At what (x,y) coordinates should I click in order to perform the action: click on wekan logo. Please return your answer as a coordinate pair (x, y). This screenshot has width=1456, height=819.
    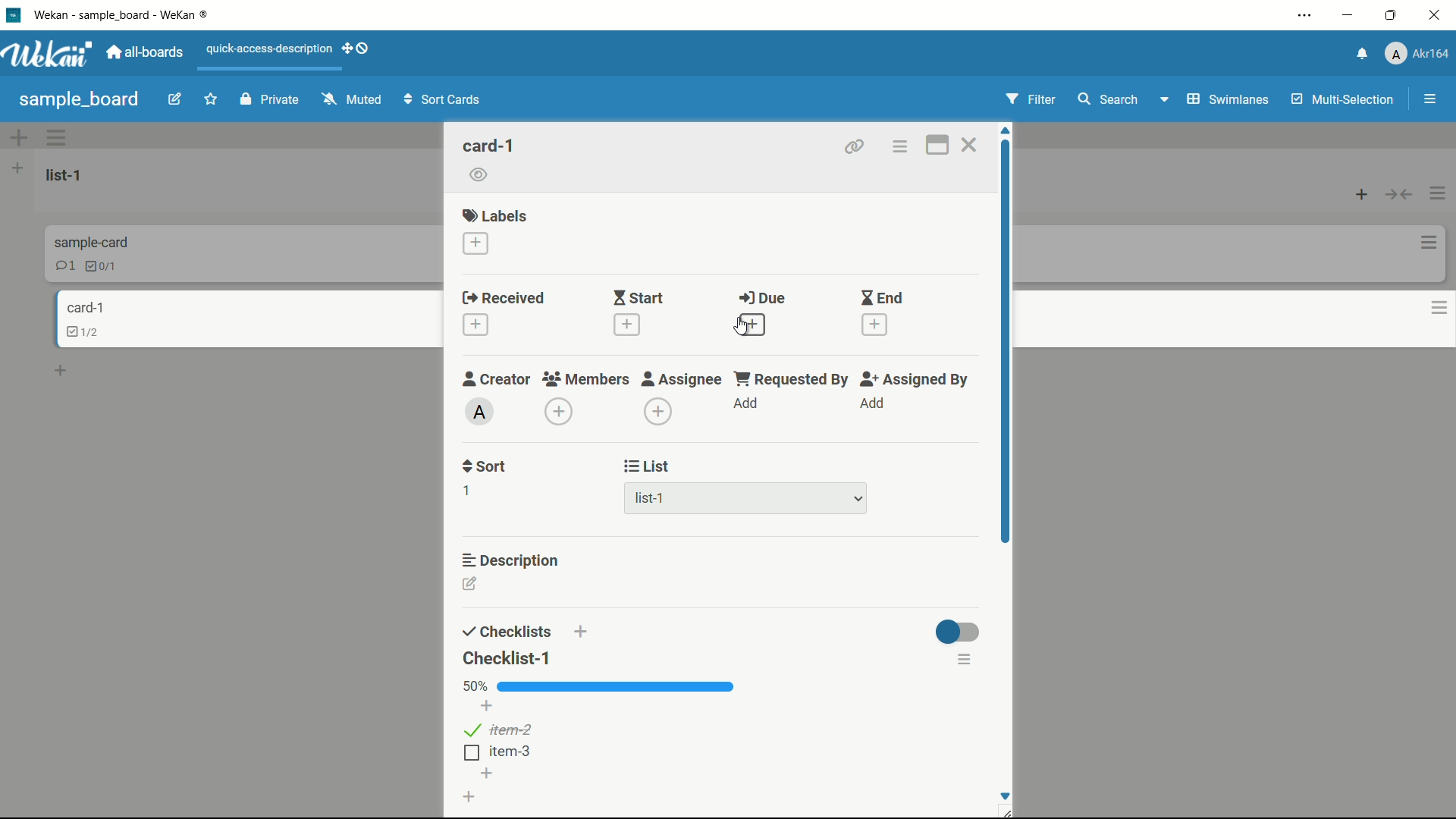
    Looking at the image, I should click on (14, 15).